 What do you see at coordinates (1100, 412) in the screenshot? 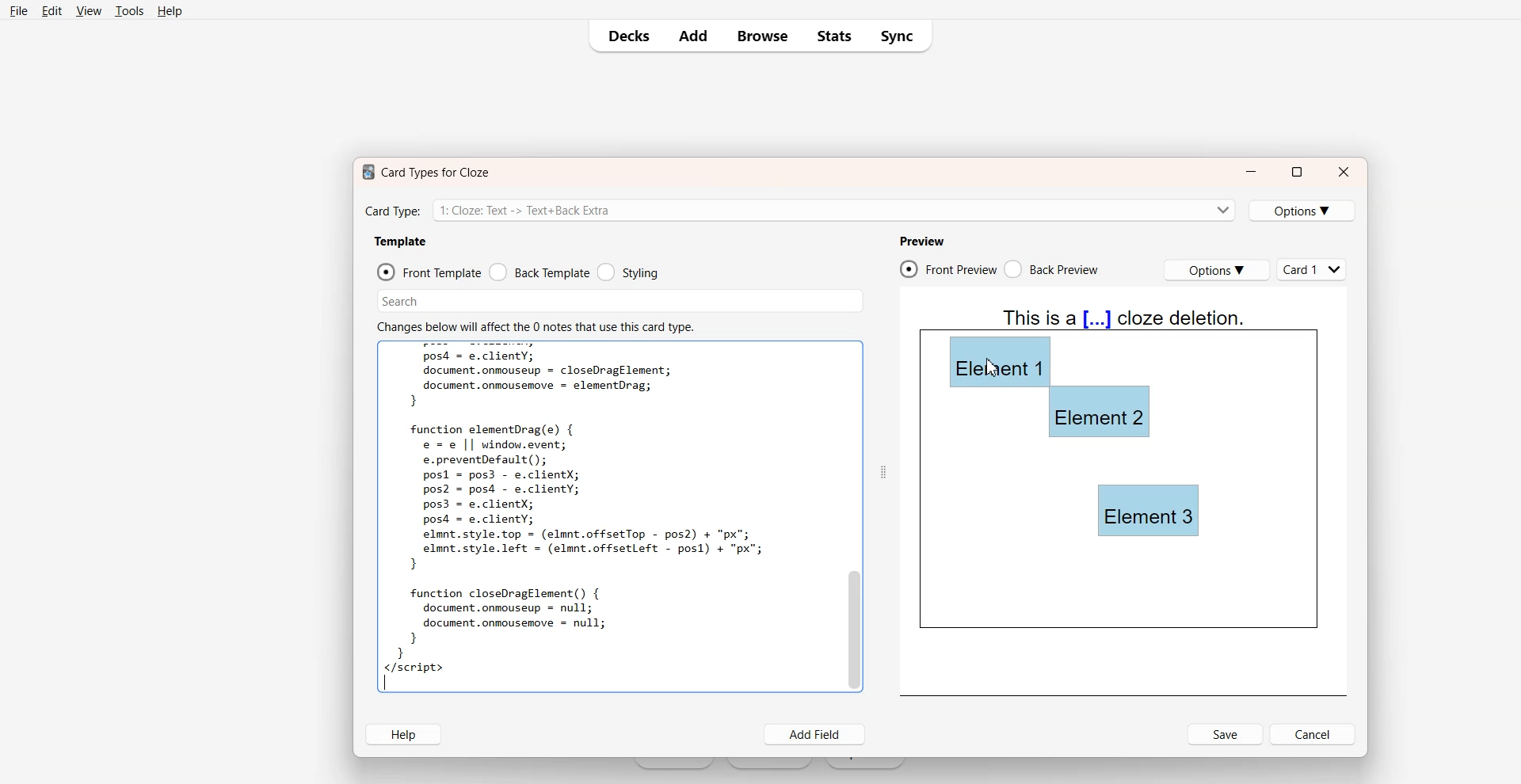
I see `Element 2` at bounding box center [1100, 412].